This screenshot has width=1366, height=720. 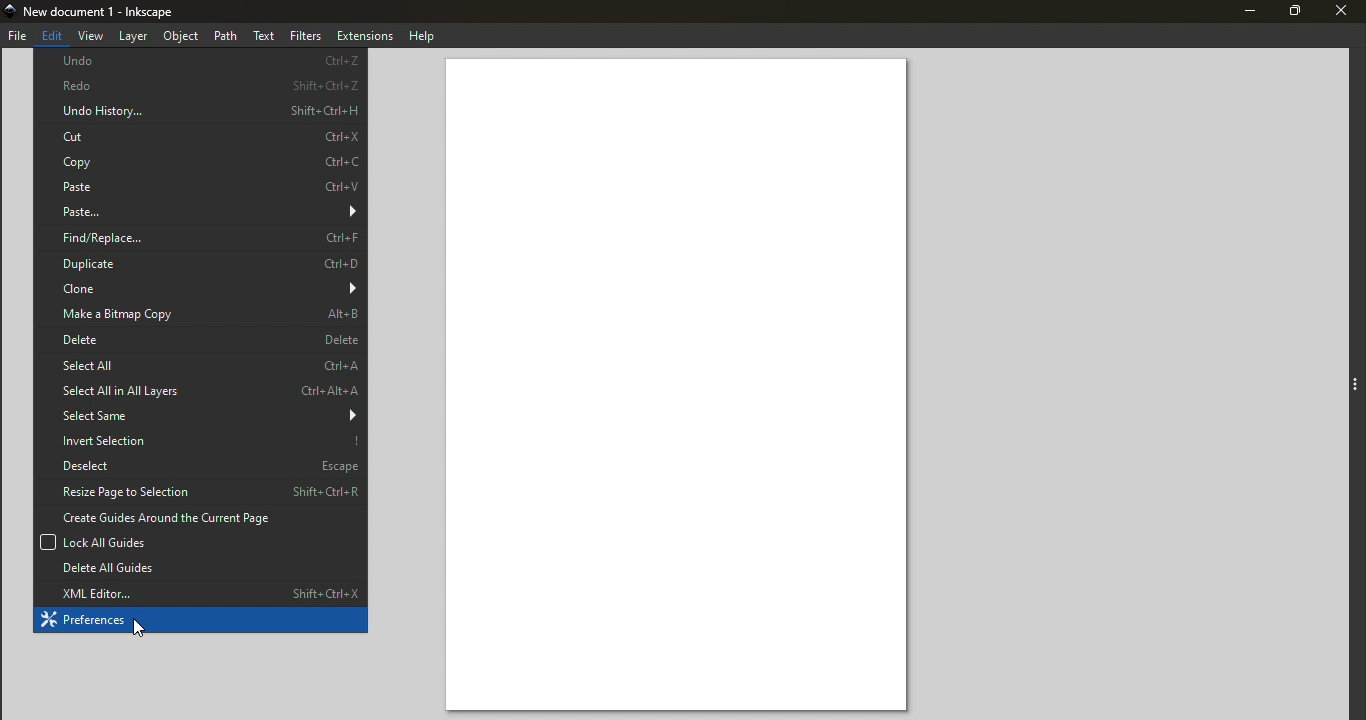 I want to click on New document 1-Inbcipe, so click(x=104, y=11).